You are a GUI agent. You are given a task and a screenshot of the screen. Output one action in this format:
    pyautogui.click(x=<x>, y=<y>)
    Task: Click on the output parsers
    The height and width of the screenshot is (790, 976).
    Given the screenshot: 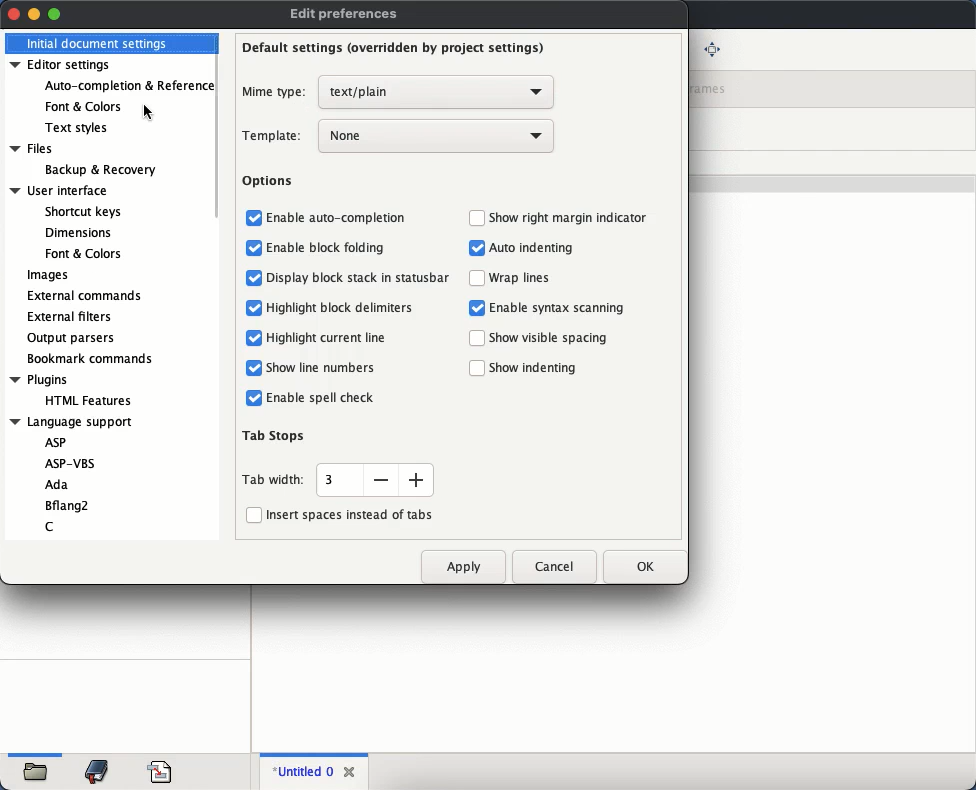 What is the action you would take?
    pyautogui.click(x=73, y=338)
    